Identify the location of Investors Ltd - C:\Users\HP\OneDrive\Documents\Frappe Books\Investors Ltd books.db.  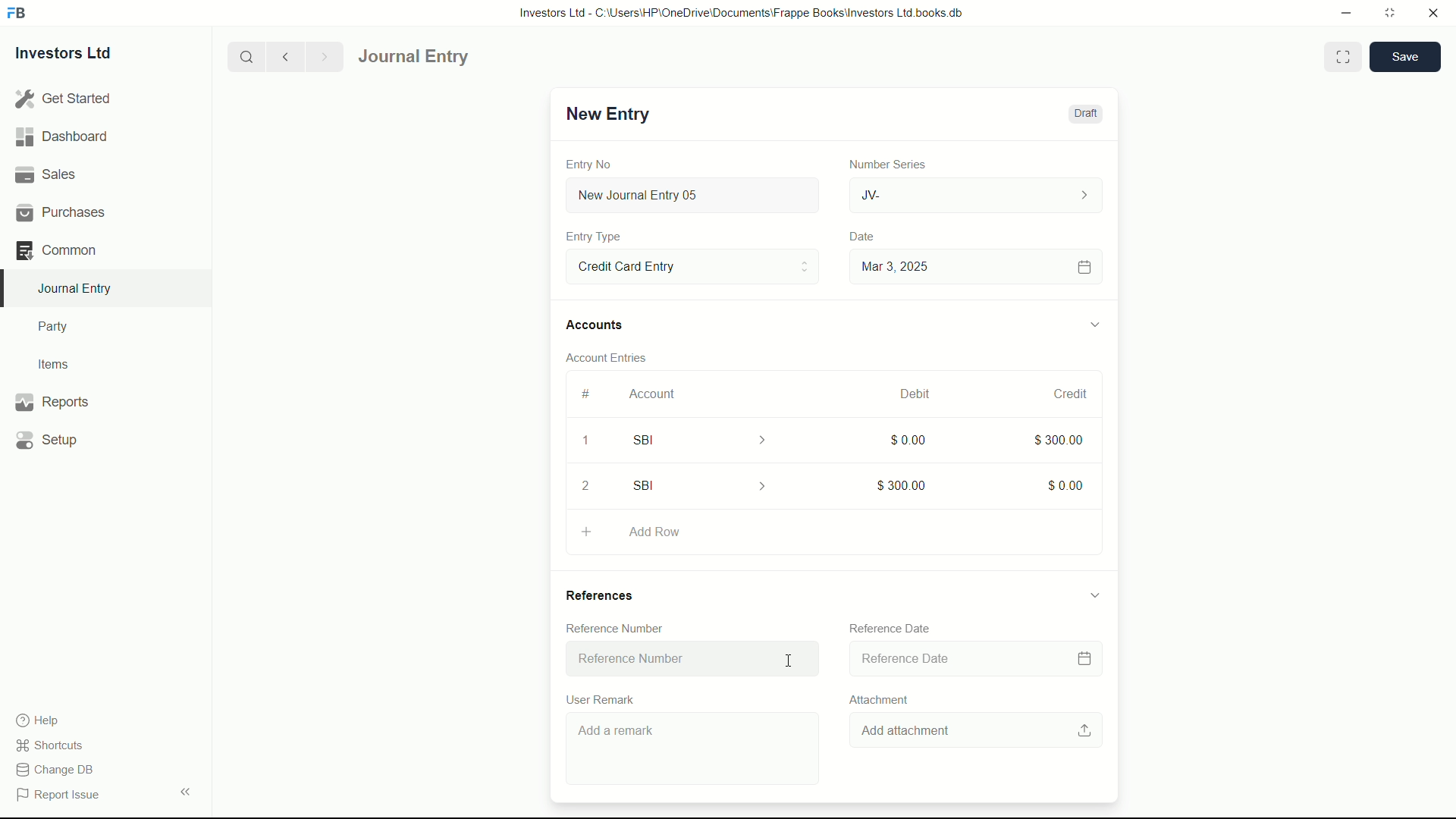
(743, 12).